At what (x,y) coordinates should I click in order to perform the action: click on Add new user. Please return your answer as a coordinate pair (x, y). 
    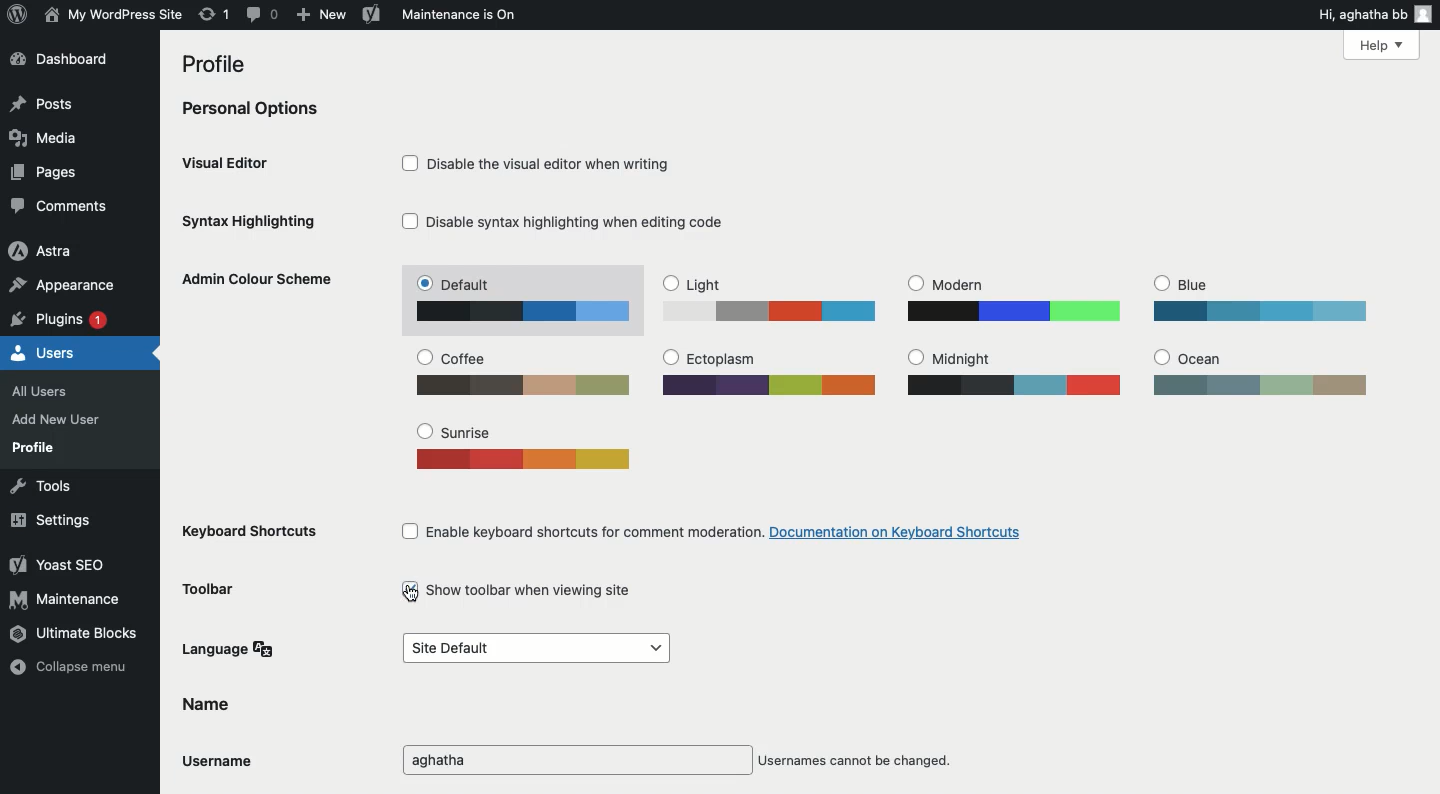
    Looking at the image, I should click on (61, 420).